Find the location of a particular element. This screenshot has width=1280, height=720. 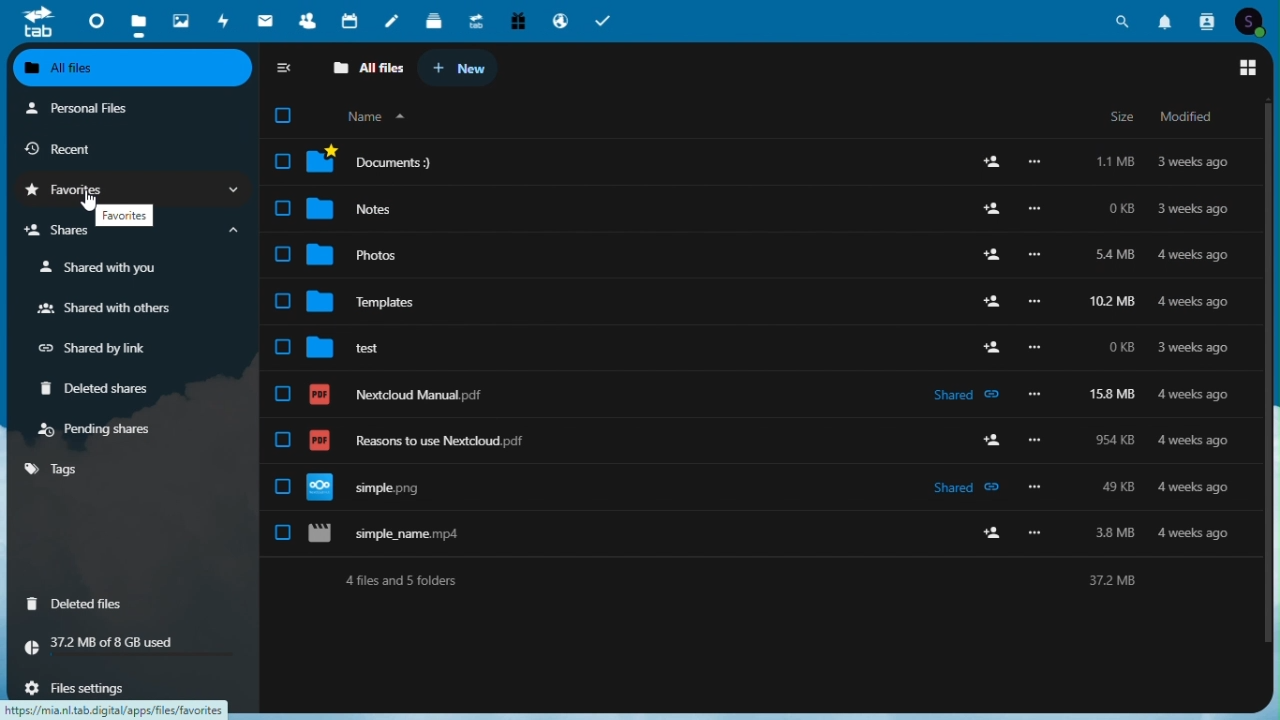

Pending shares is located at coordinates (96, 429).